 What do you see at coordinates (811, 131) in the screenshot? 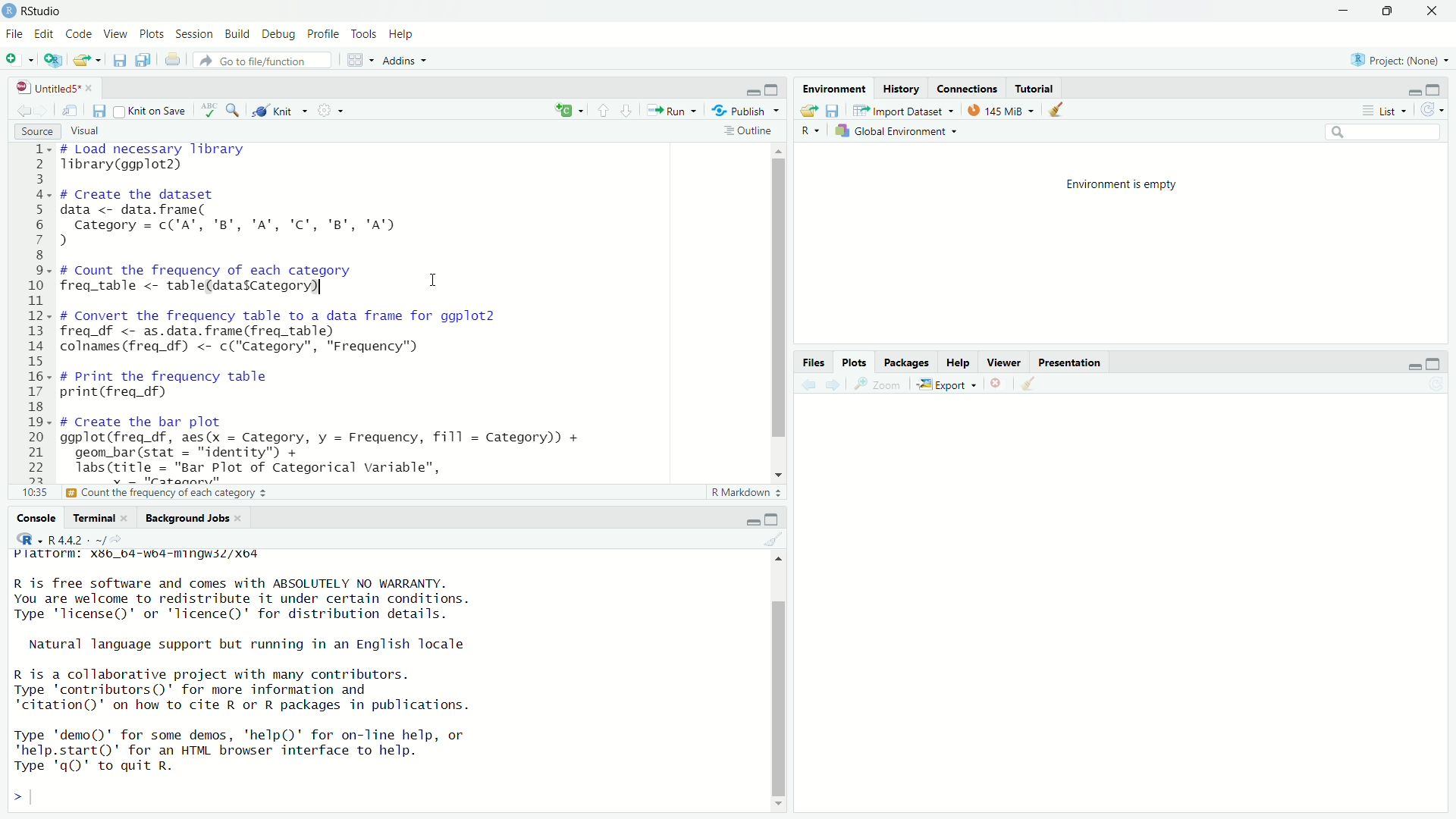
I see `R dropdown` at bounding box center [811, 131].